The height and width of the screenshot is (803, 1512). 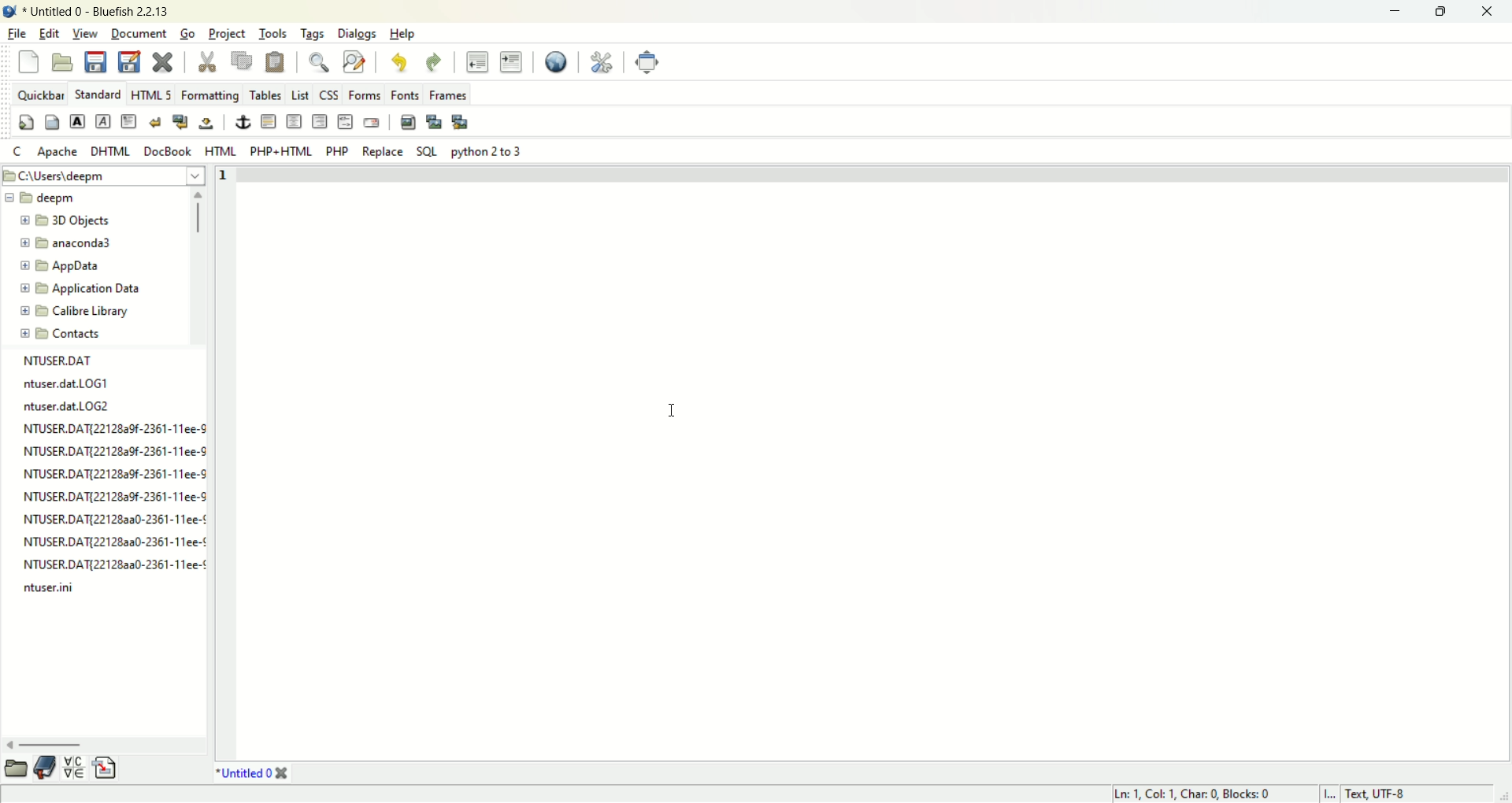 What do you see at coordinates (876, 463) in the screenshot?
I see `editor` at bounding box center [876, 463].